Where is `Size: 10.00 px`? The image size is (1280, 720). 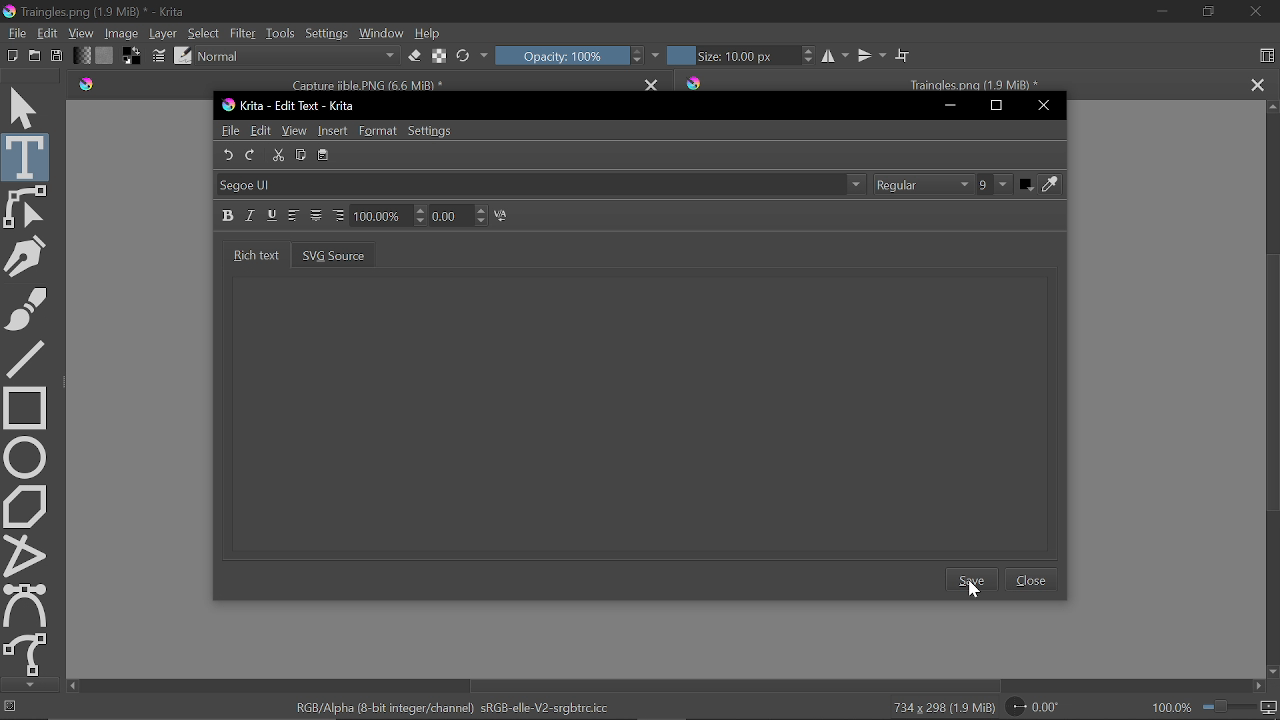
Size: 10.00 px is located at coordinates (729, 56).